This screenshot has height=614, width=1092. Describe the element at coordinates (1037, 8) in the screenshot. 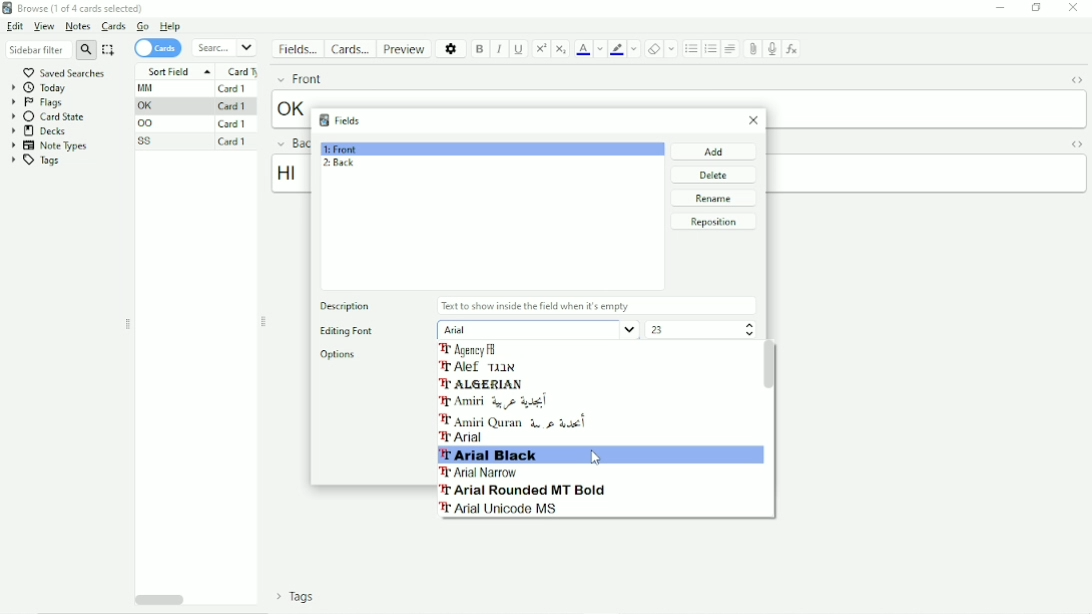

I see `Restore down` at that location.